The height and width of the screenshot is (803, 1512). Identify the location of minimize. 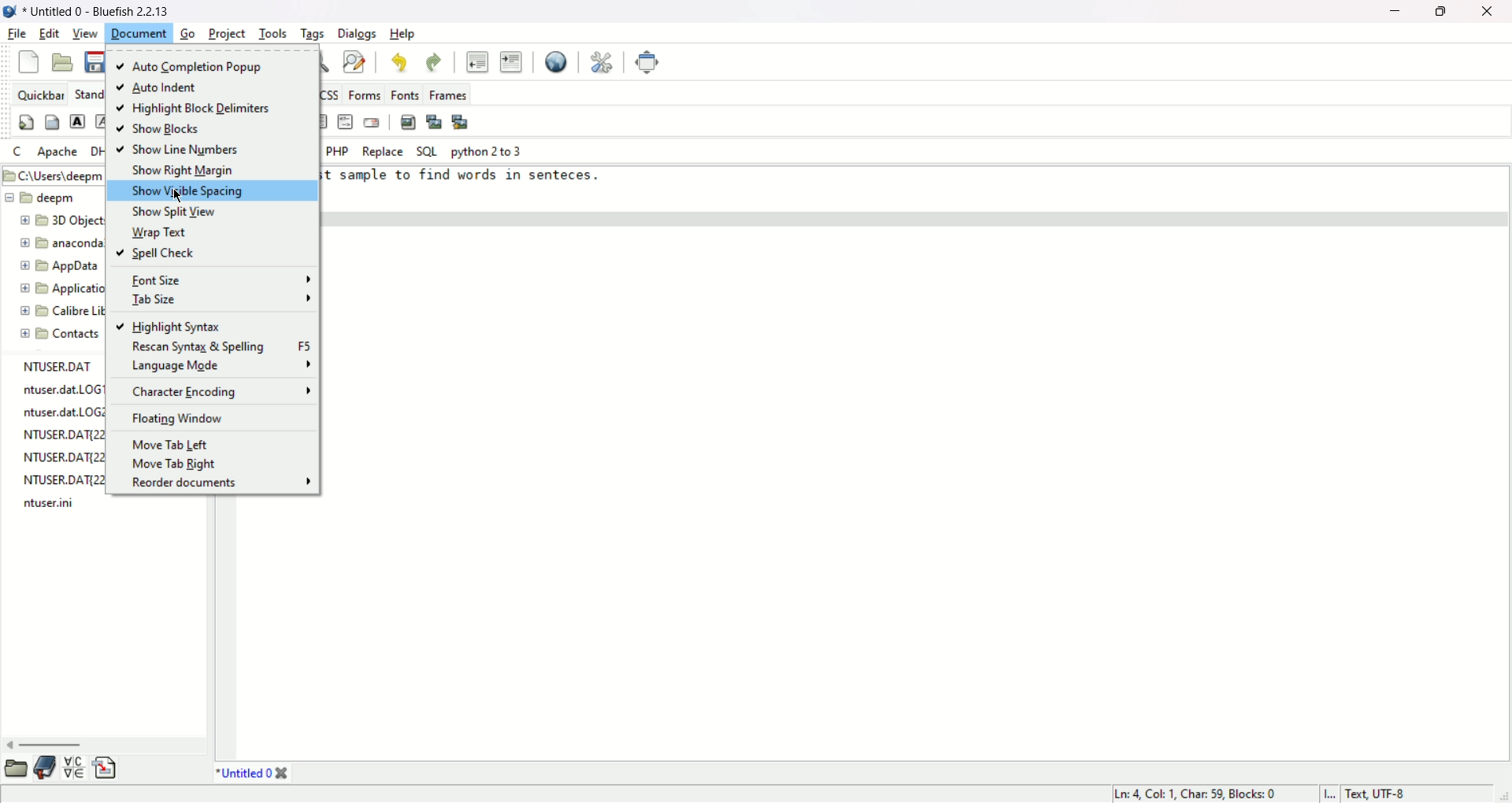
(1395, 12).